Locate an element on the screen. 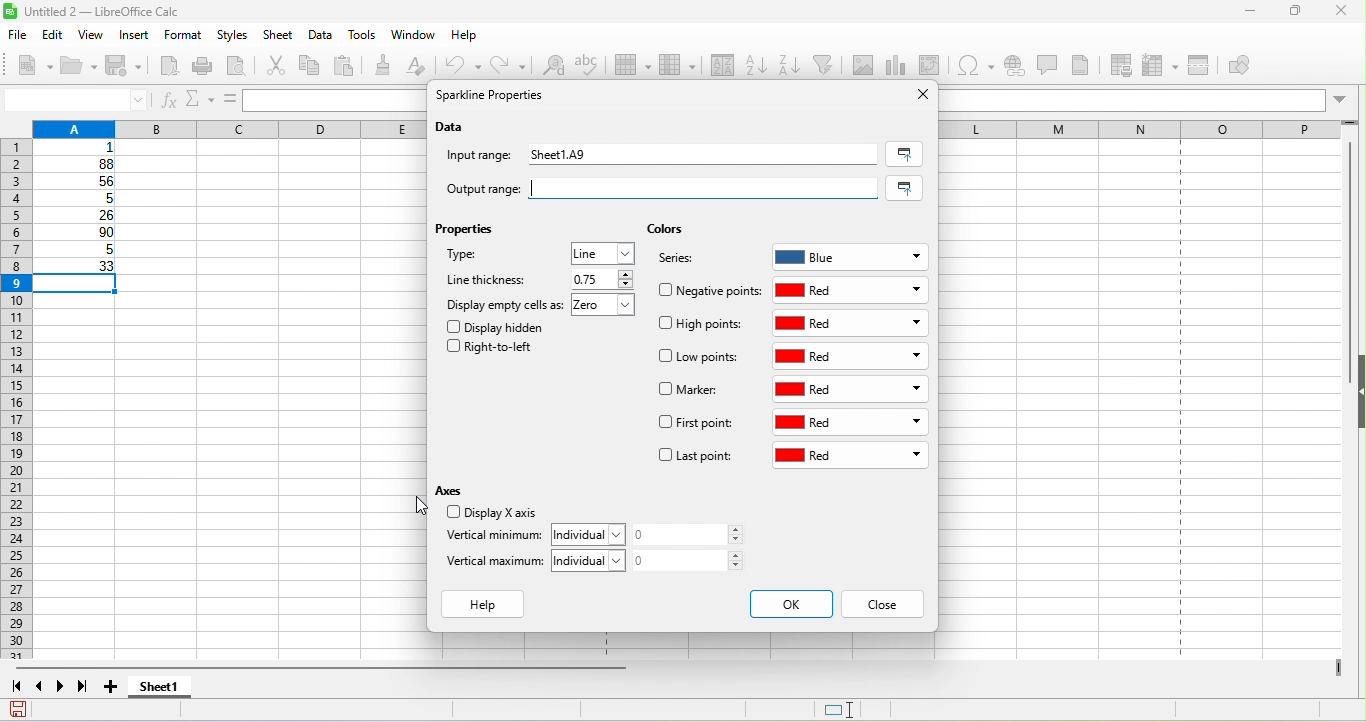 The image size is (1366, 722). format is located at coordinates (181, 36).